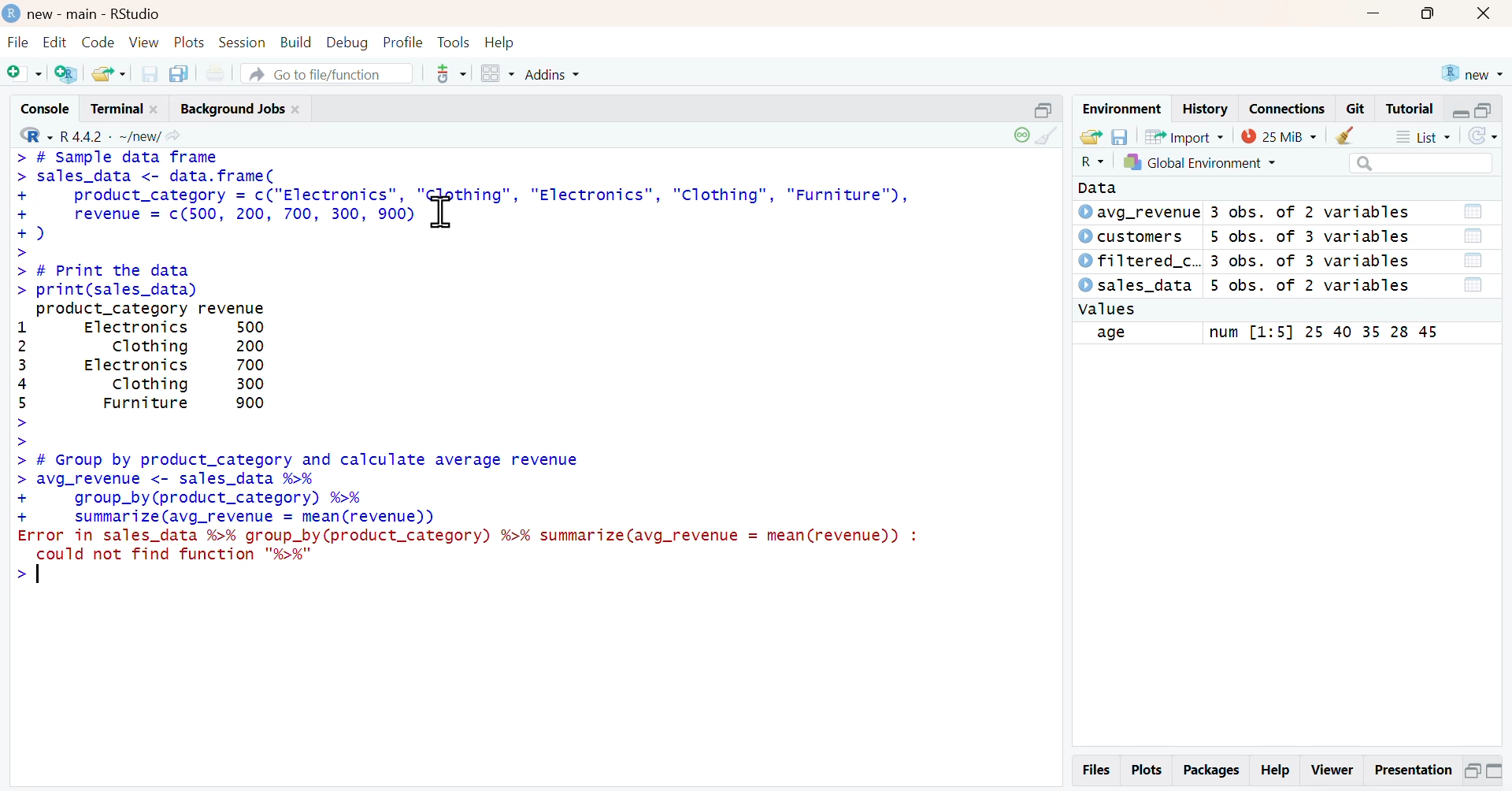  I want to click on Debug, so click(346, 43).